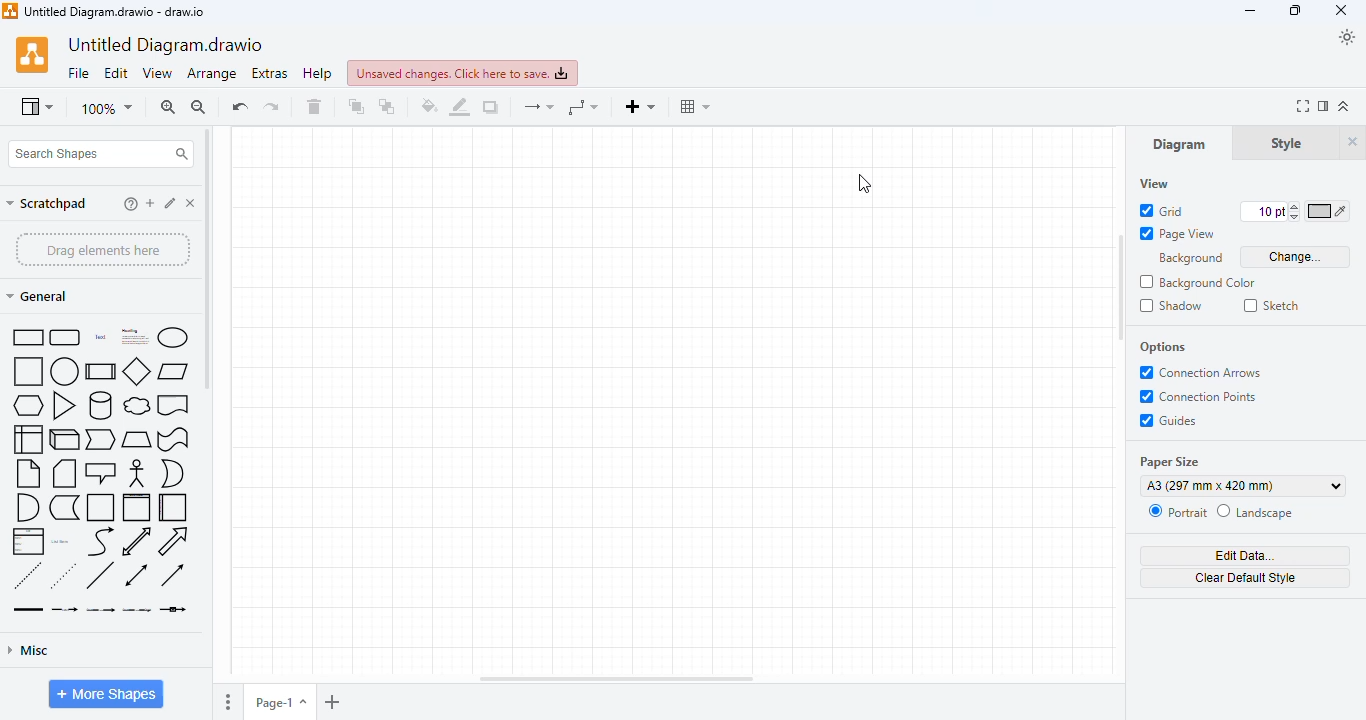 This screenshot has width=1366, height=720. I want to click on parallelogram, so click(173, 372).